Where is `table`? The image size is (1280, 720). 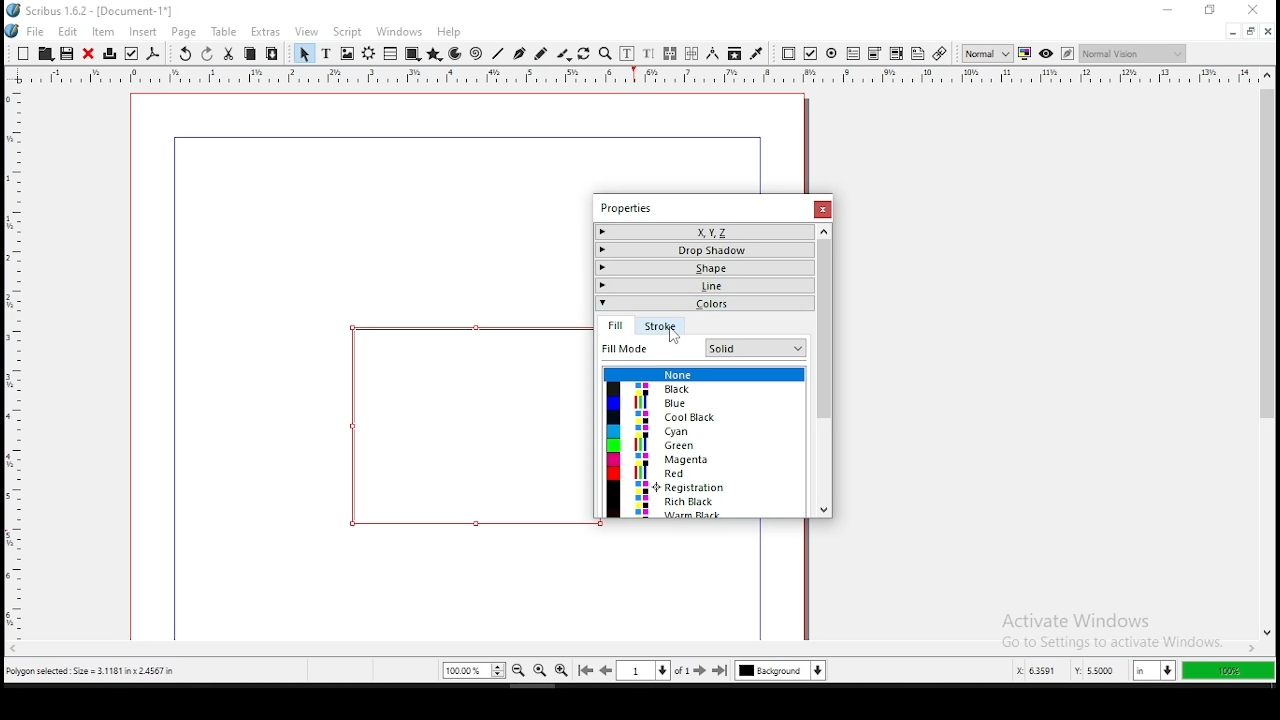 table is located at coordinates (225, 32).